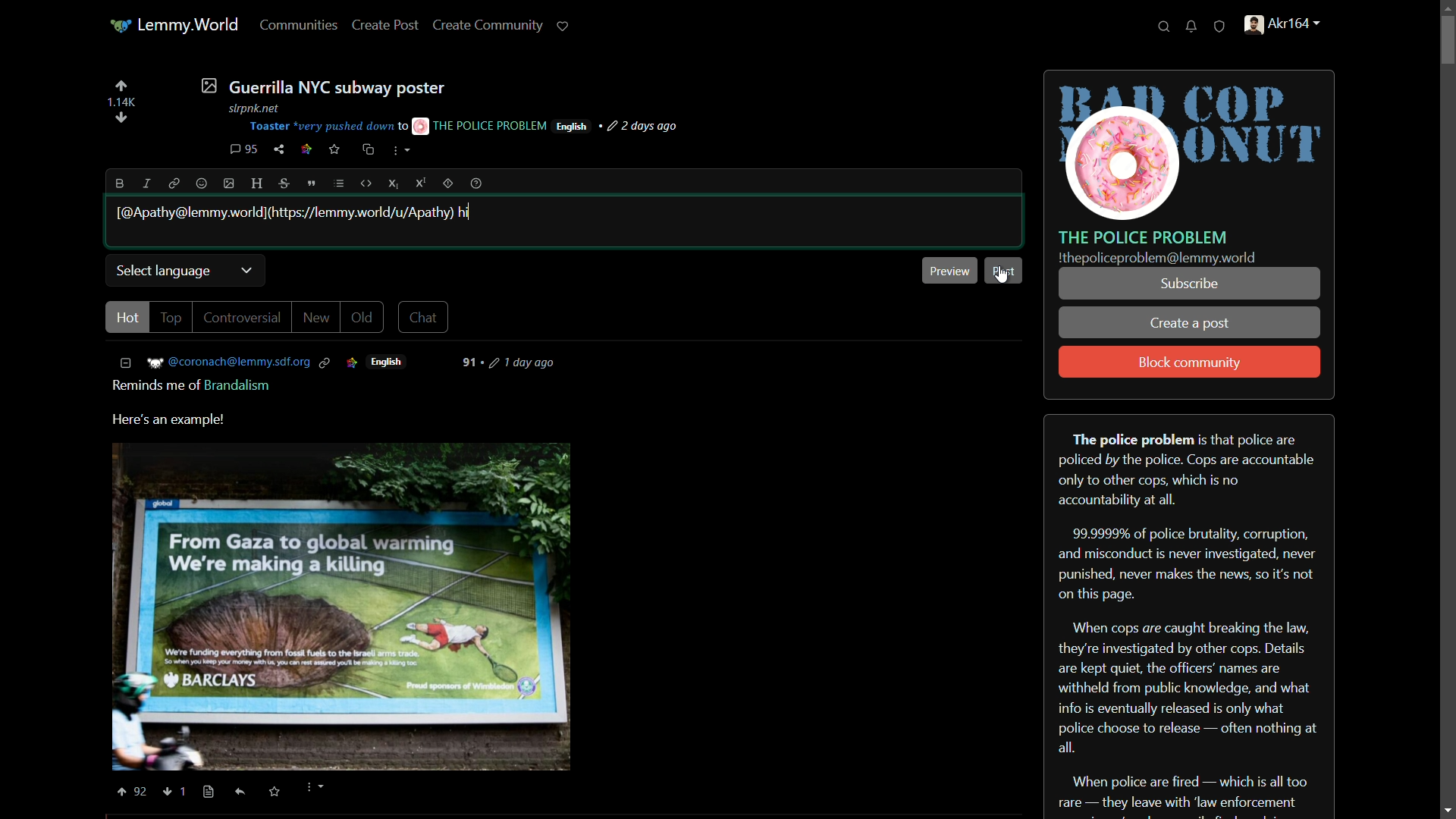 This screenshot has height=819, width=1456. What do you see at coordinates (1191, 325) in the screenshot?
I see `create a post` at bounding box center [1191, 325].